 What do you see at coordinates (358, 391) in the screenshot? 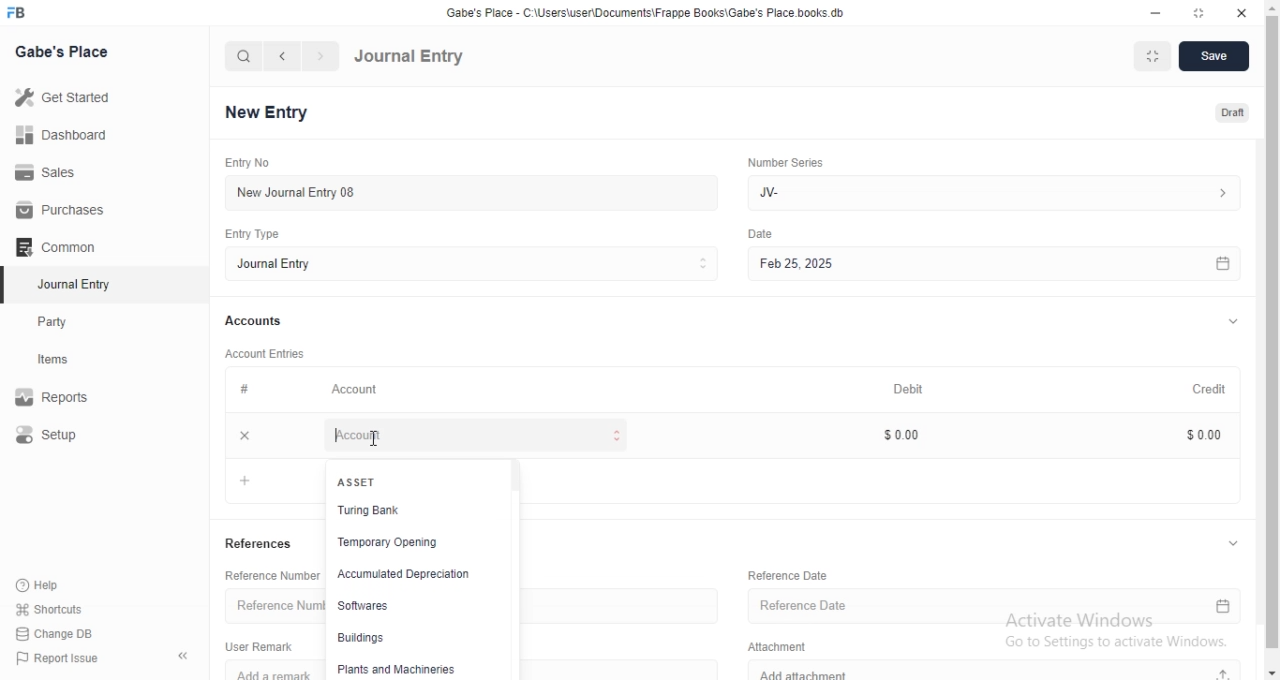
I see `Account` at bounding box center [358, 391].